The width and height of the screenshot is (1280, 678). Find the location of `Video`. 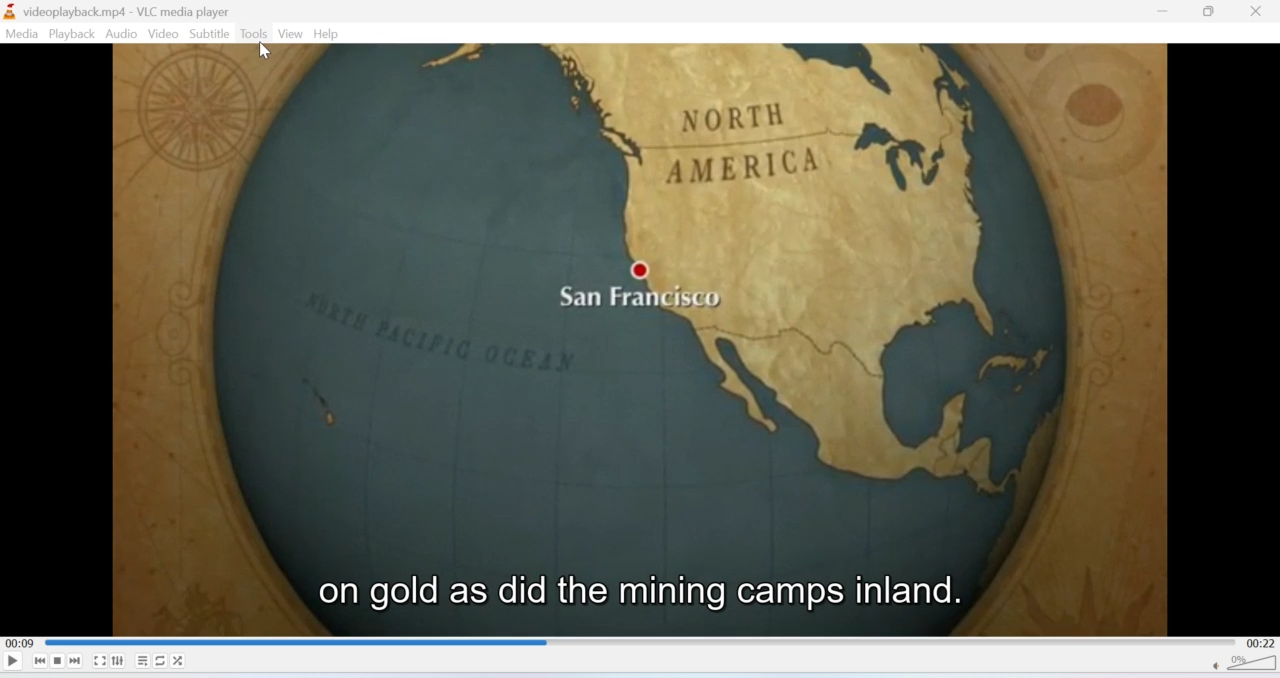

Video is located at coordinates (161, 34).